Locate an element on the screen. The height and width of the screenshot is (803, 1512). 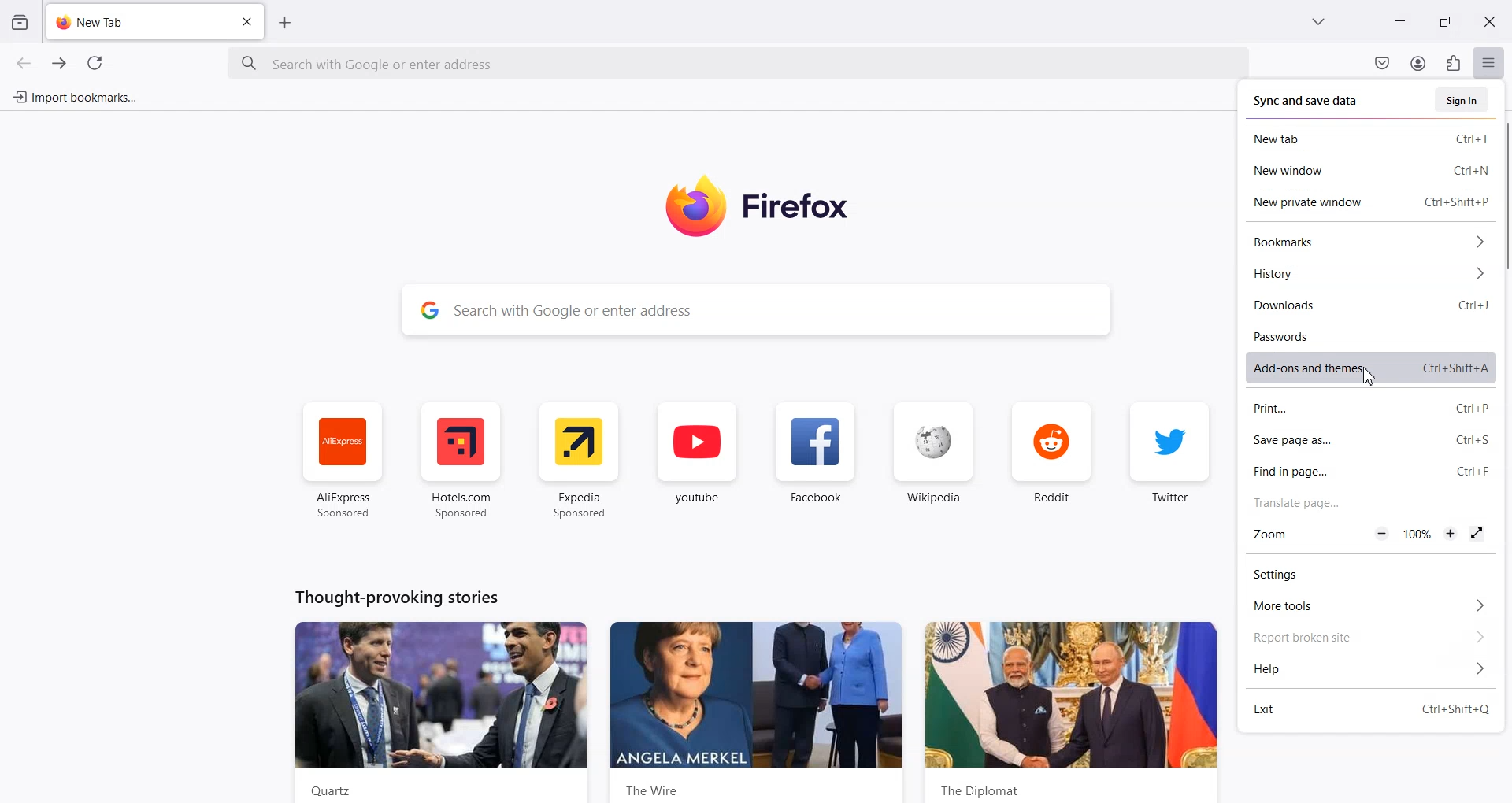
More tools is located at coordinates (1369, 604).